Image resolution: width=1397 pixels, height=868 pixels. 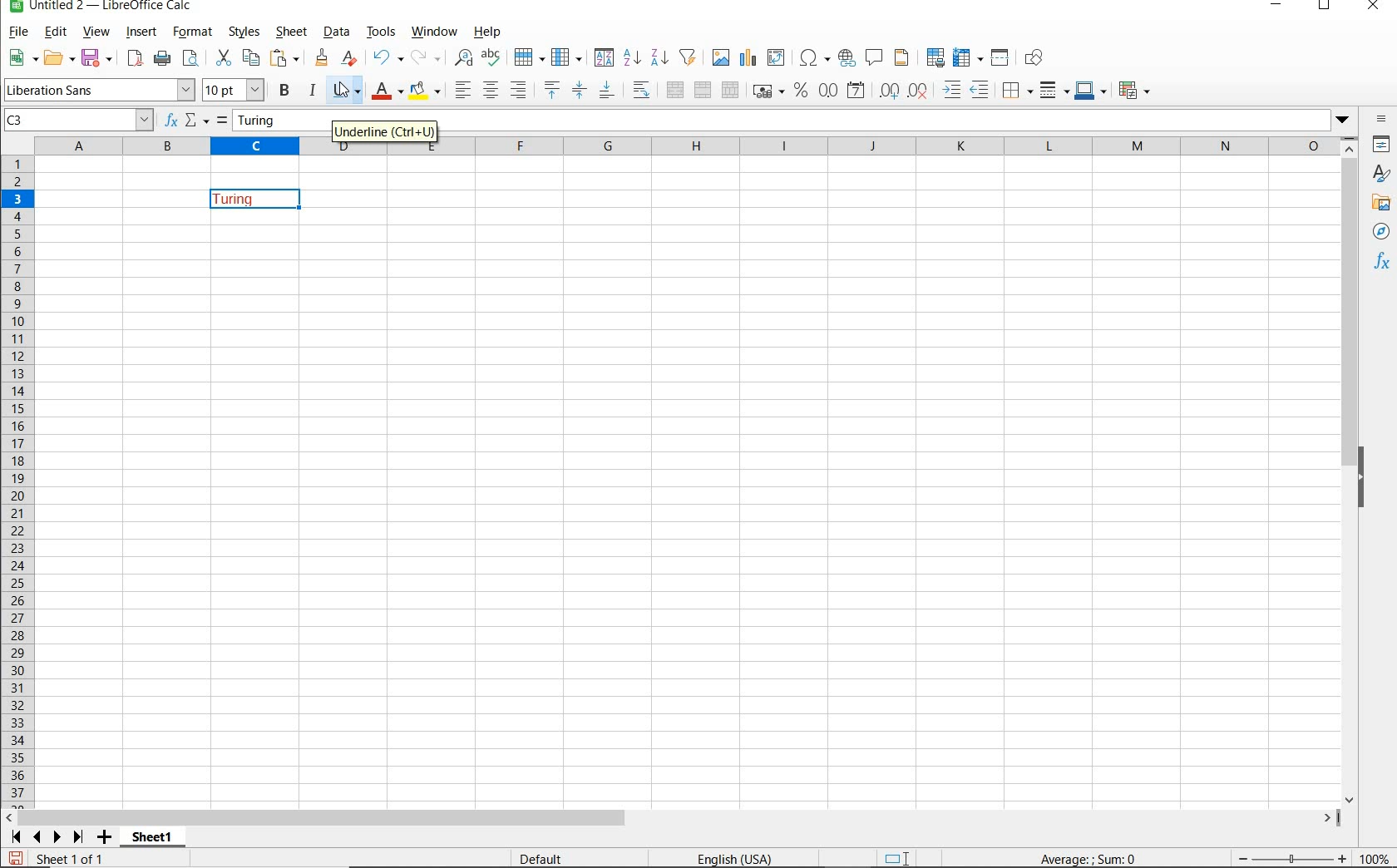 I want to click on ALIGN LEFT, so click(x=462, y=91).